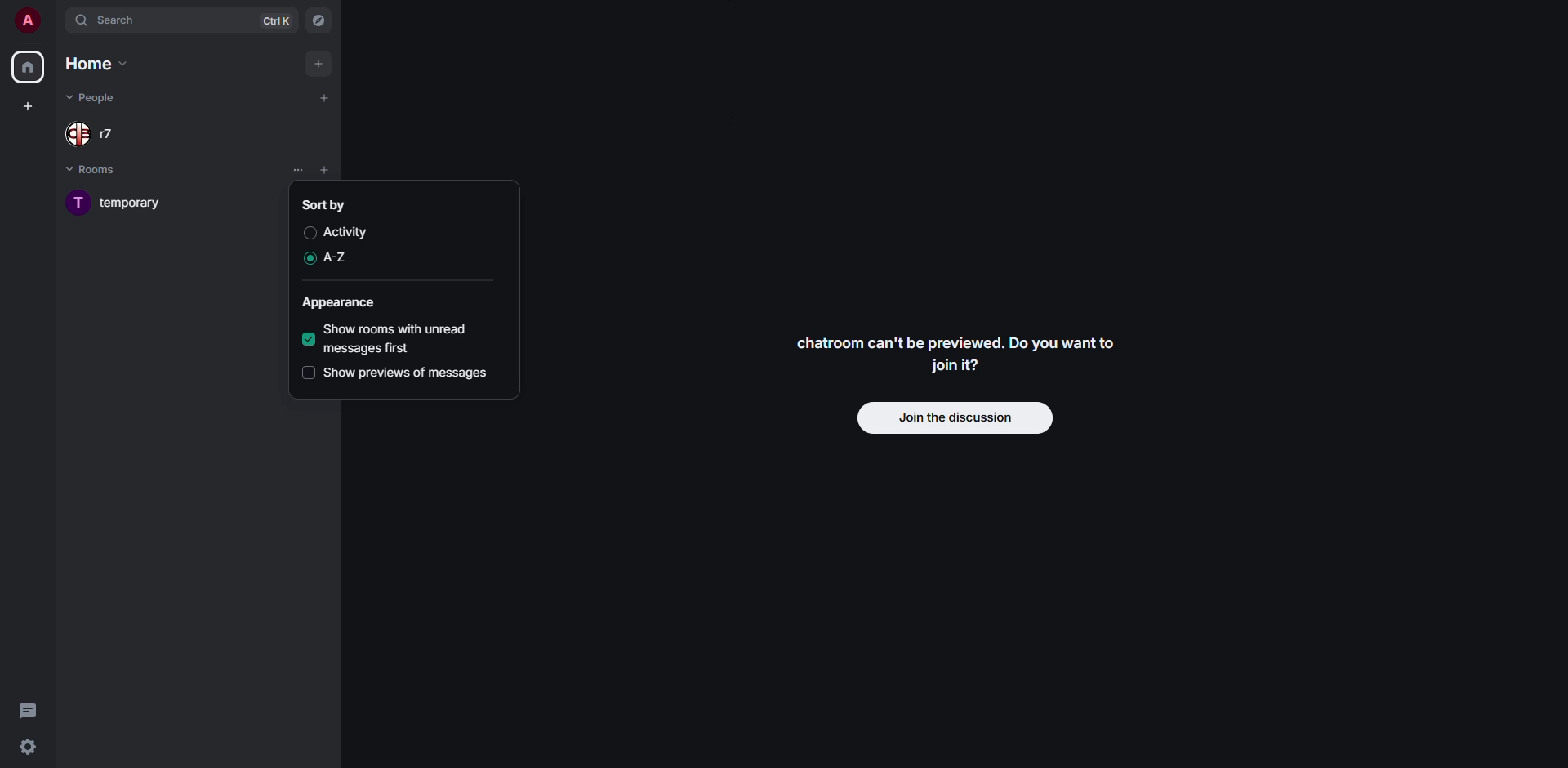 This screenshot has height=768, width=1568. What do you see at coordinates (404, 337) in the screenshot?
I see `show rooms with unread messages first` at bounding box center [404, 337].